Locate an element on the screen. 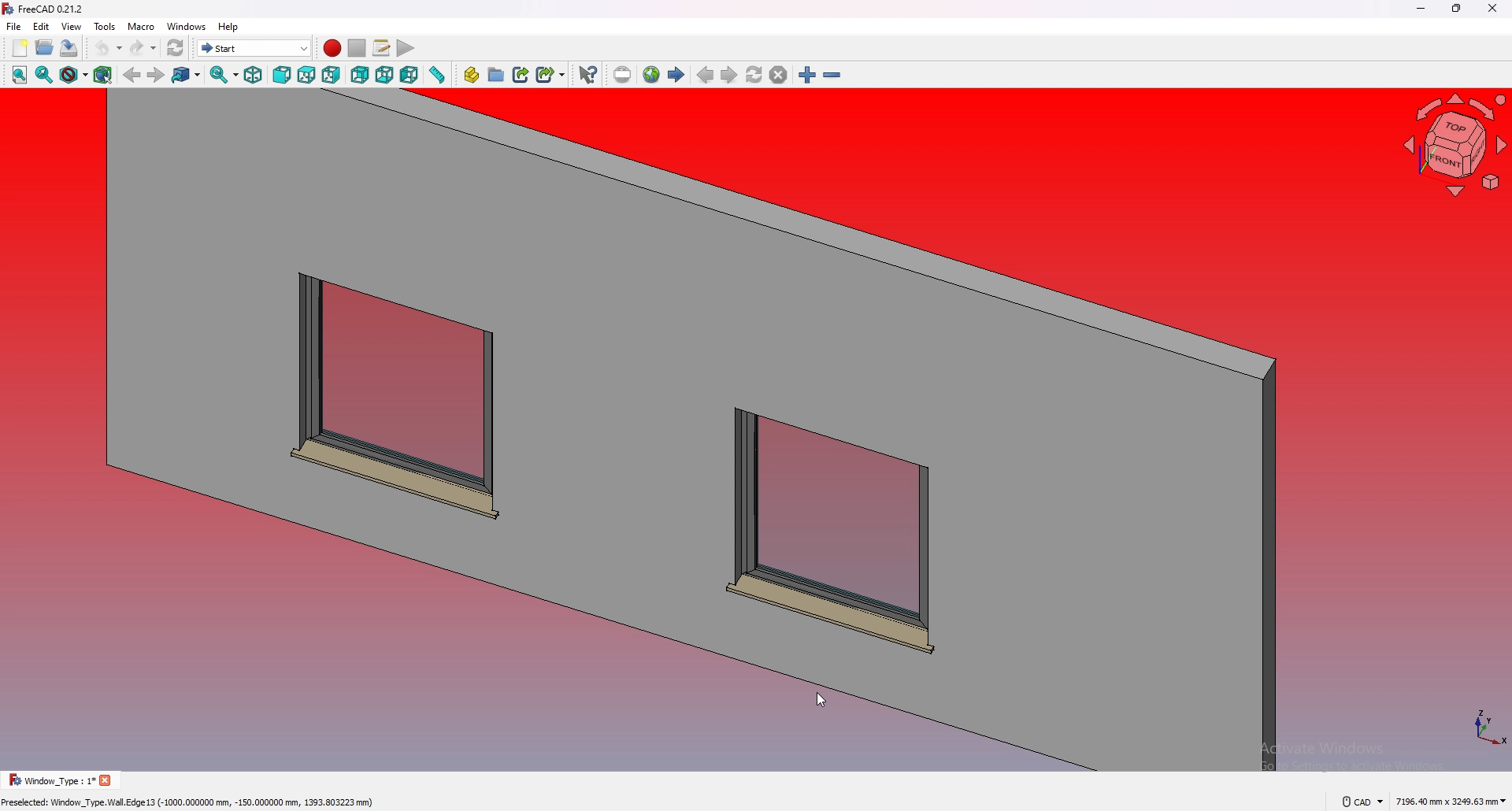  tourus is located at coordinates (1480, 726).